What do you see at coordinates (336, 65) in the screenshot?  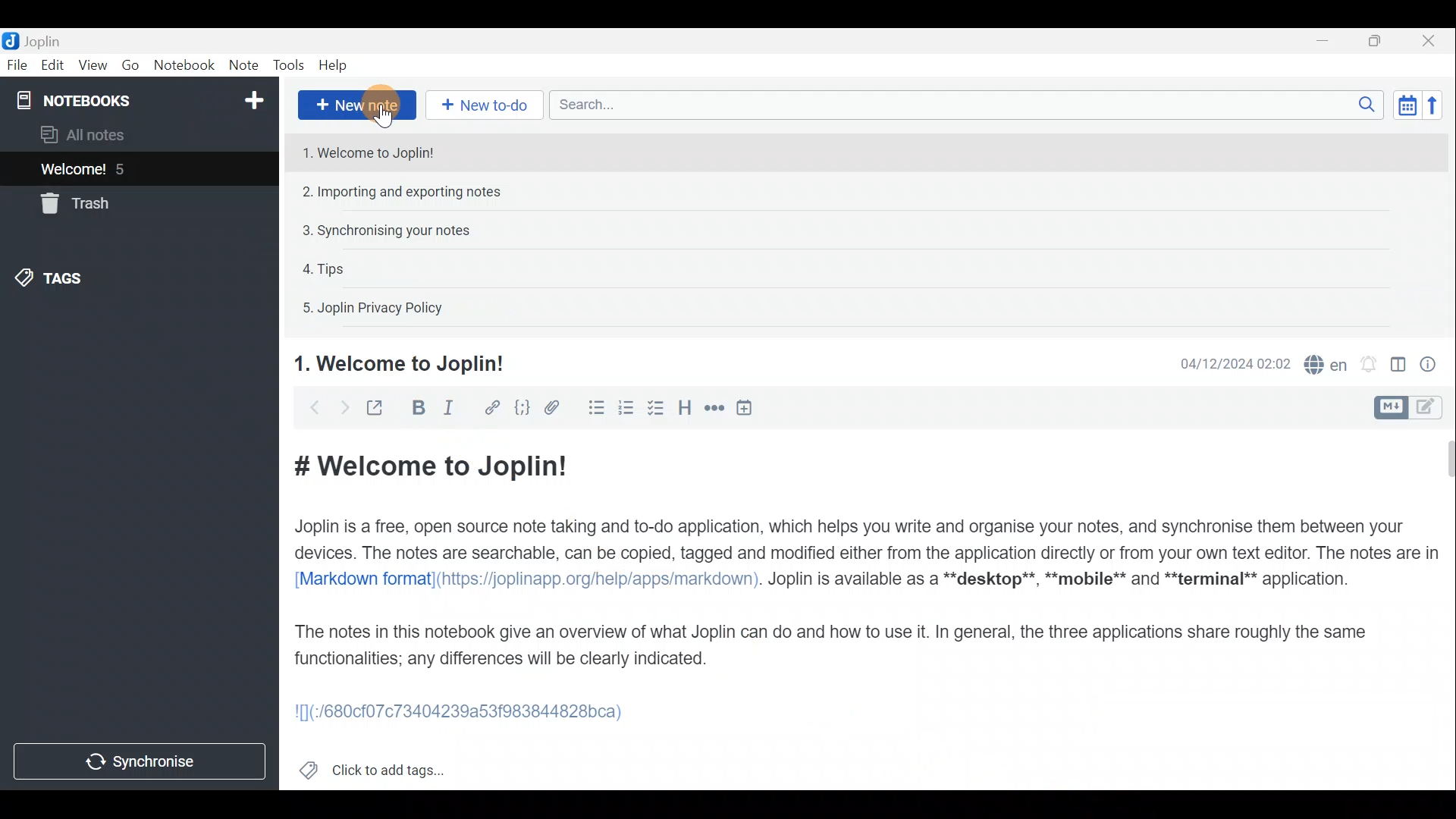 I see `Help` at bounding box center [336, 65].